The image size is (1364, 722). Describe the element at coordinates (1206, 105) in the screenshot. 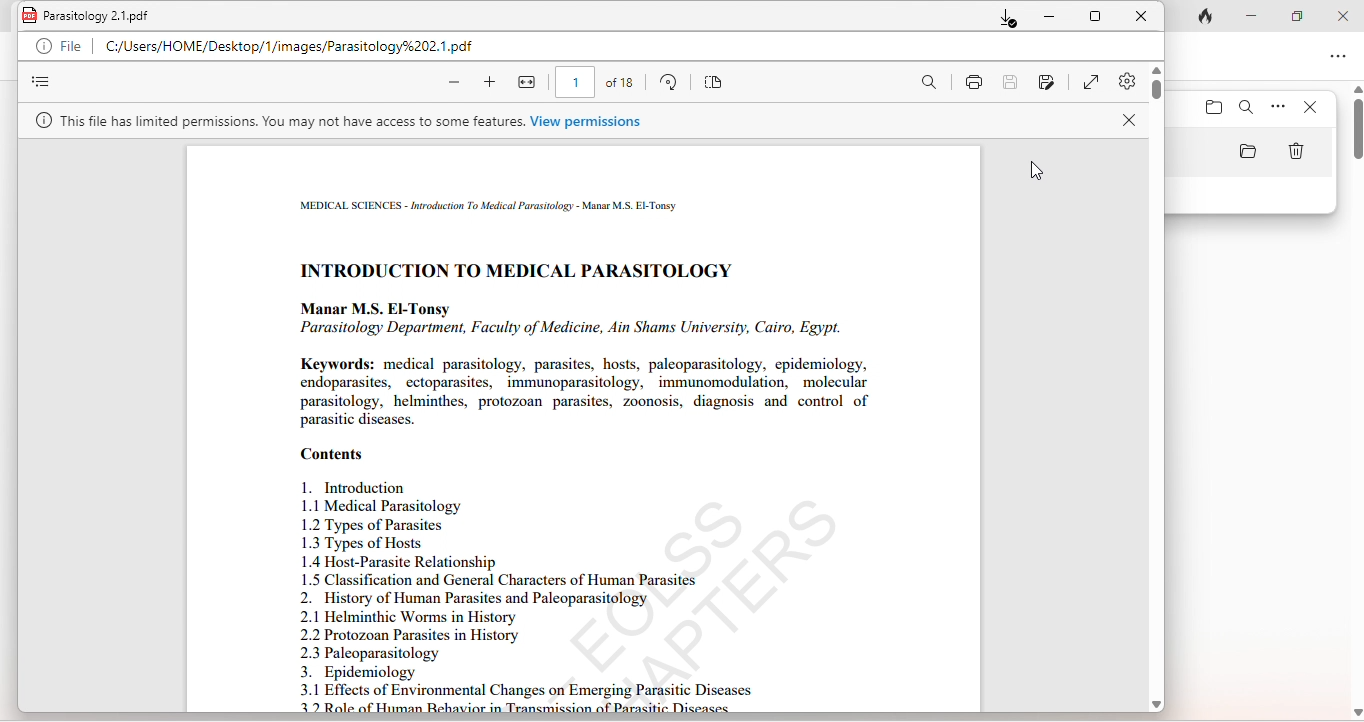

I see `folder` at that location.